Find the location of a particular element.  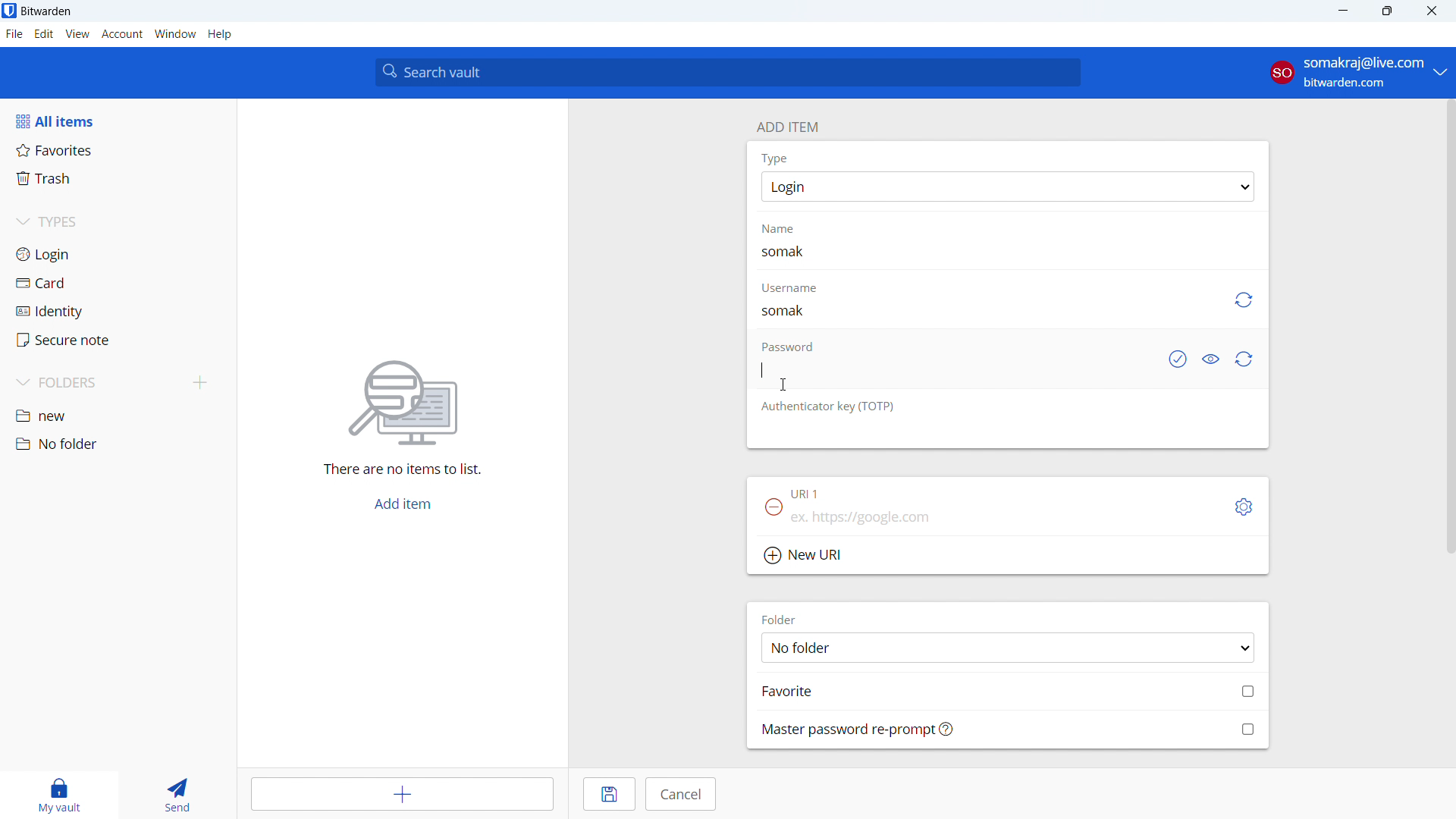

select folder is located at coordinates (1007, 647).